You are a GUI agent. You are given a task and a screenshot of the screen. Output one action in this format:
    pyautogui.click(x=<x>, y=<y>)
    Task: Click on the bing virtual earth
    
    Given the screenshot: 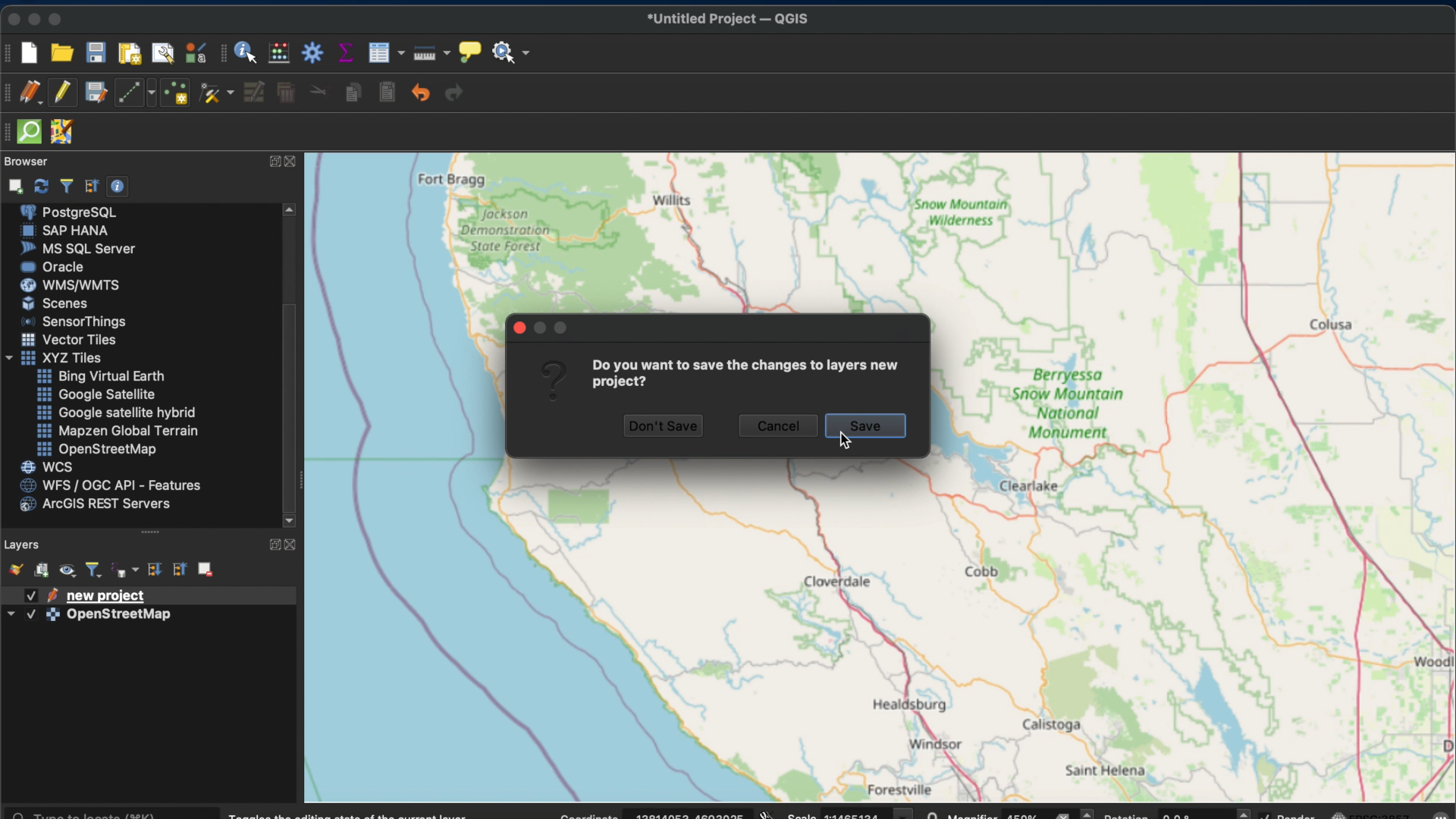 What is the action you would take?
    pyautogui.click(x=99, y=376)
    